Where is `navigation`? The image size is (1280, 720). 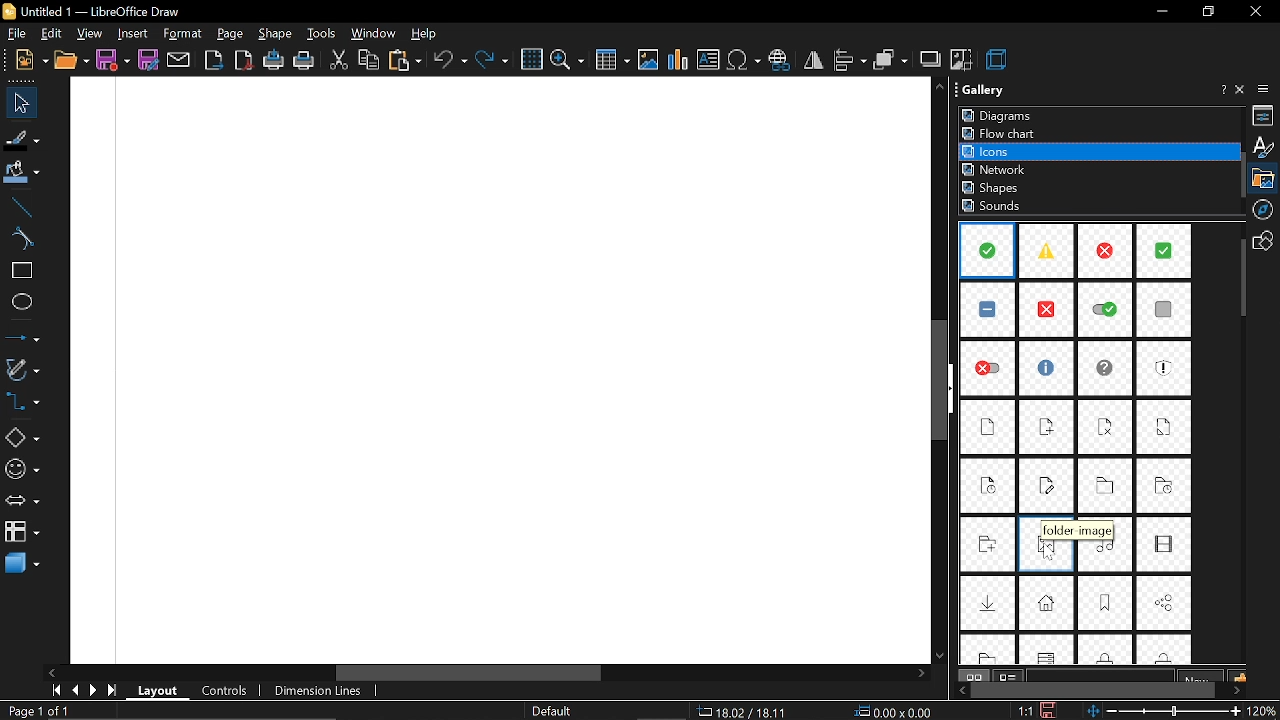 navigation is located at coordinates (1266, 209).